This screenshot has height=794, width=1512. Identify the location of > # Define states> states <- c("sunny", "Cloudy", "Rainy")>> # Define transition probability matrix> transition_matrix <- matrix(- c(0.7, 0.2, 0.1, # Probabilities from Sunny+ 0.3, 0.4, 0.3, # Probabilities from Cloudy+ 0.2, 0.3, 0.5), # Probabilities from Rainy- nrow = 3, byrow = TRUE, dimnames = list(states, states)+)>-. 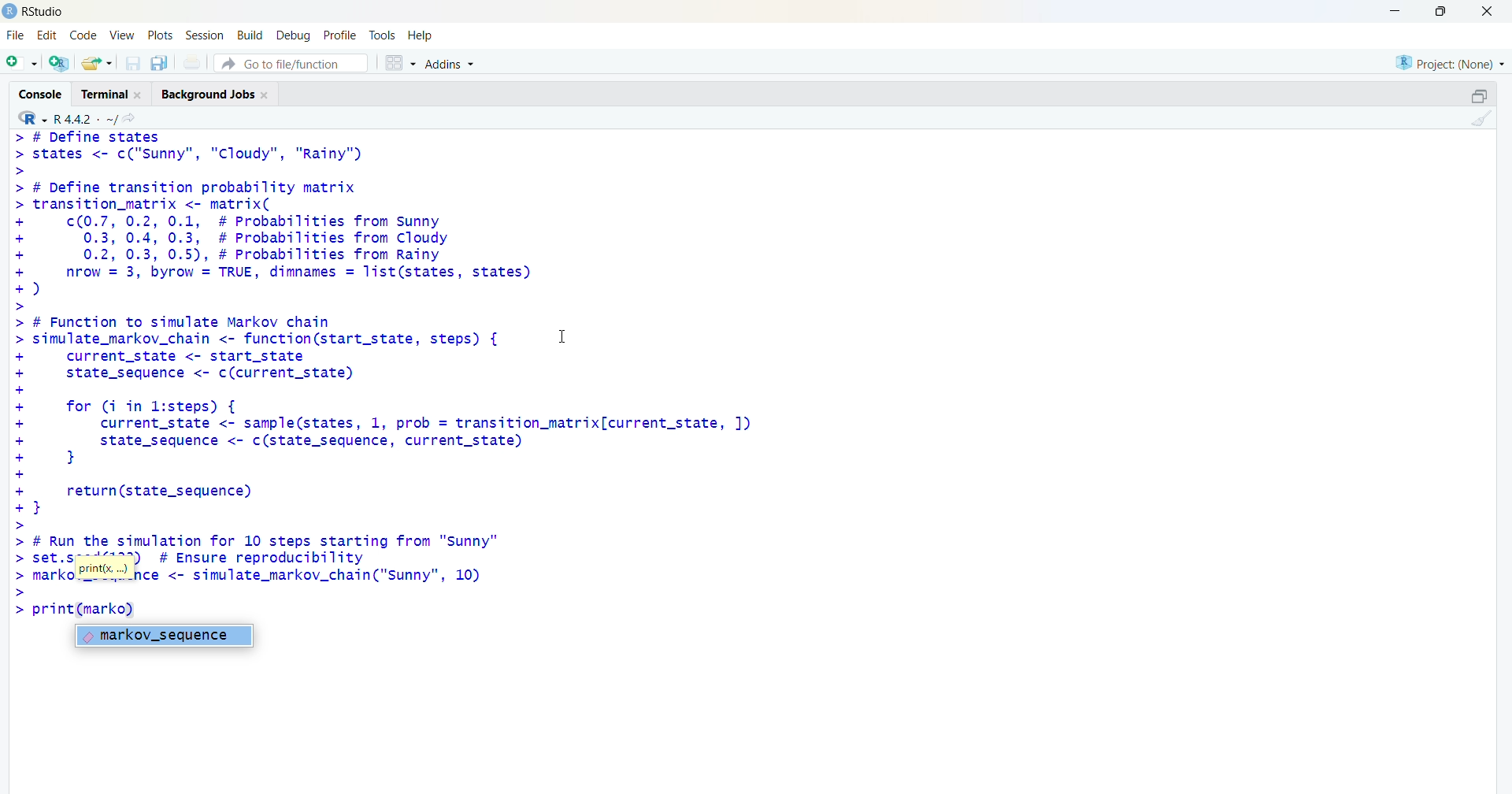
(283, 221).